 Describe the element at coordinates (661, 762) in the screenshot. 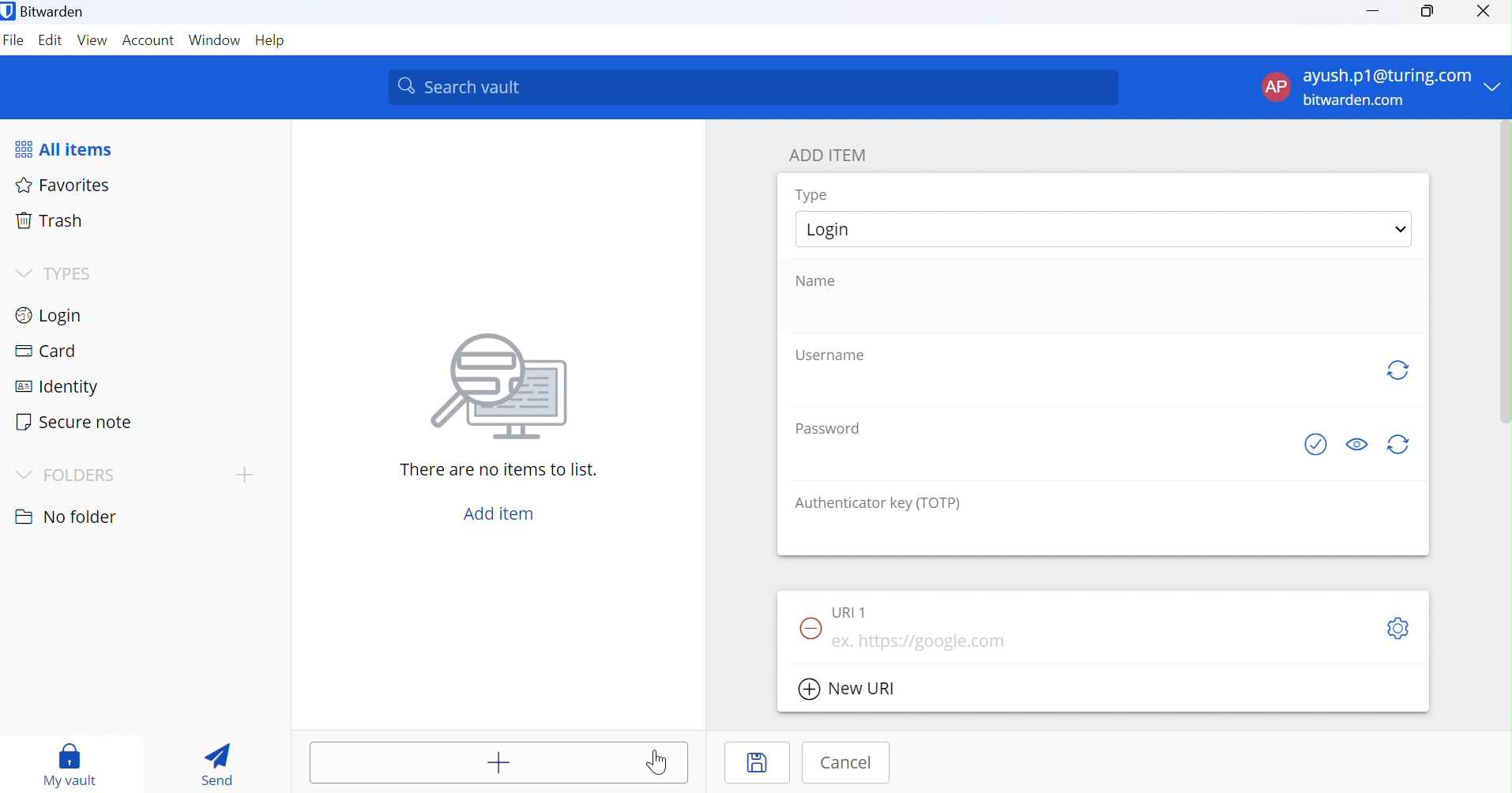

I see `Cursor` at that location.